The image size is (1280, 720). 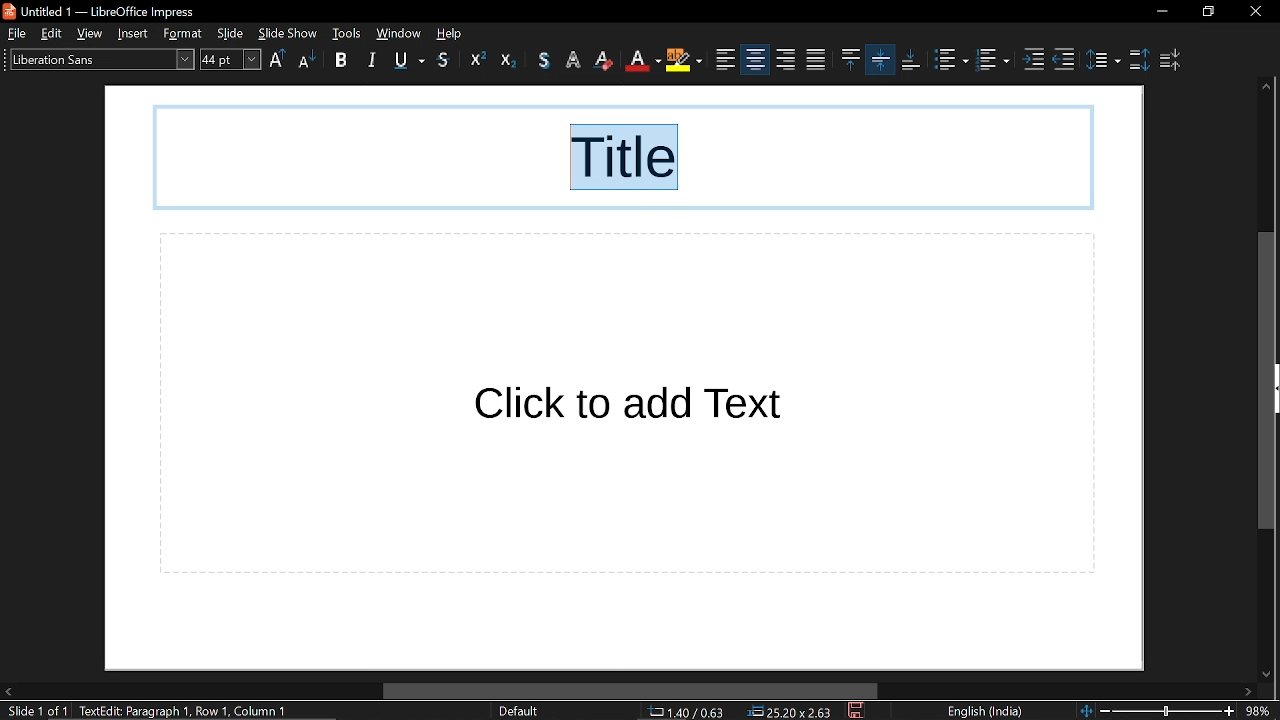 What do you see at coordinates (1083, 709) in the screenshot?
I see `fit to page` at bounding box center [1083, 709].